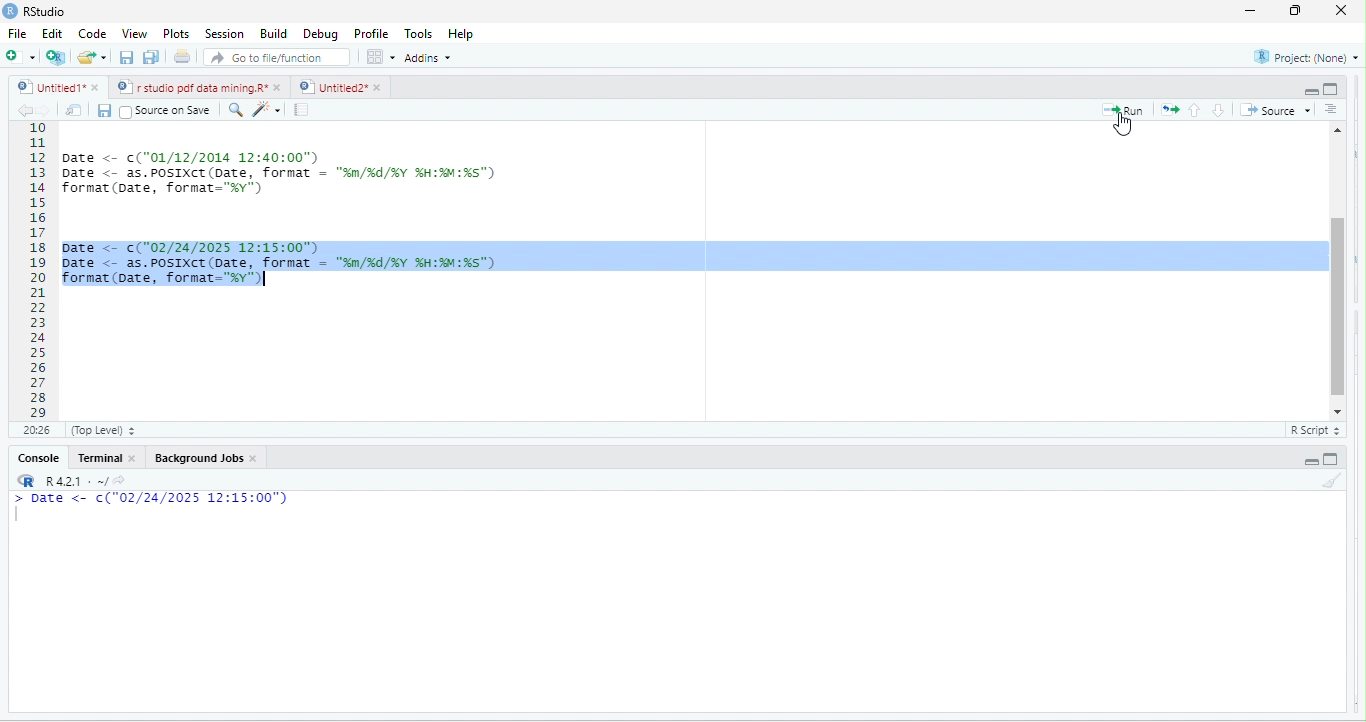  Describe the element at coordinates (379, 56) in the screenshot. I see `option` at that location.